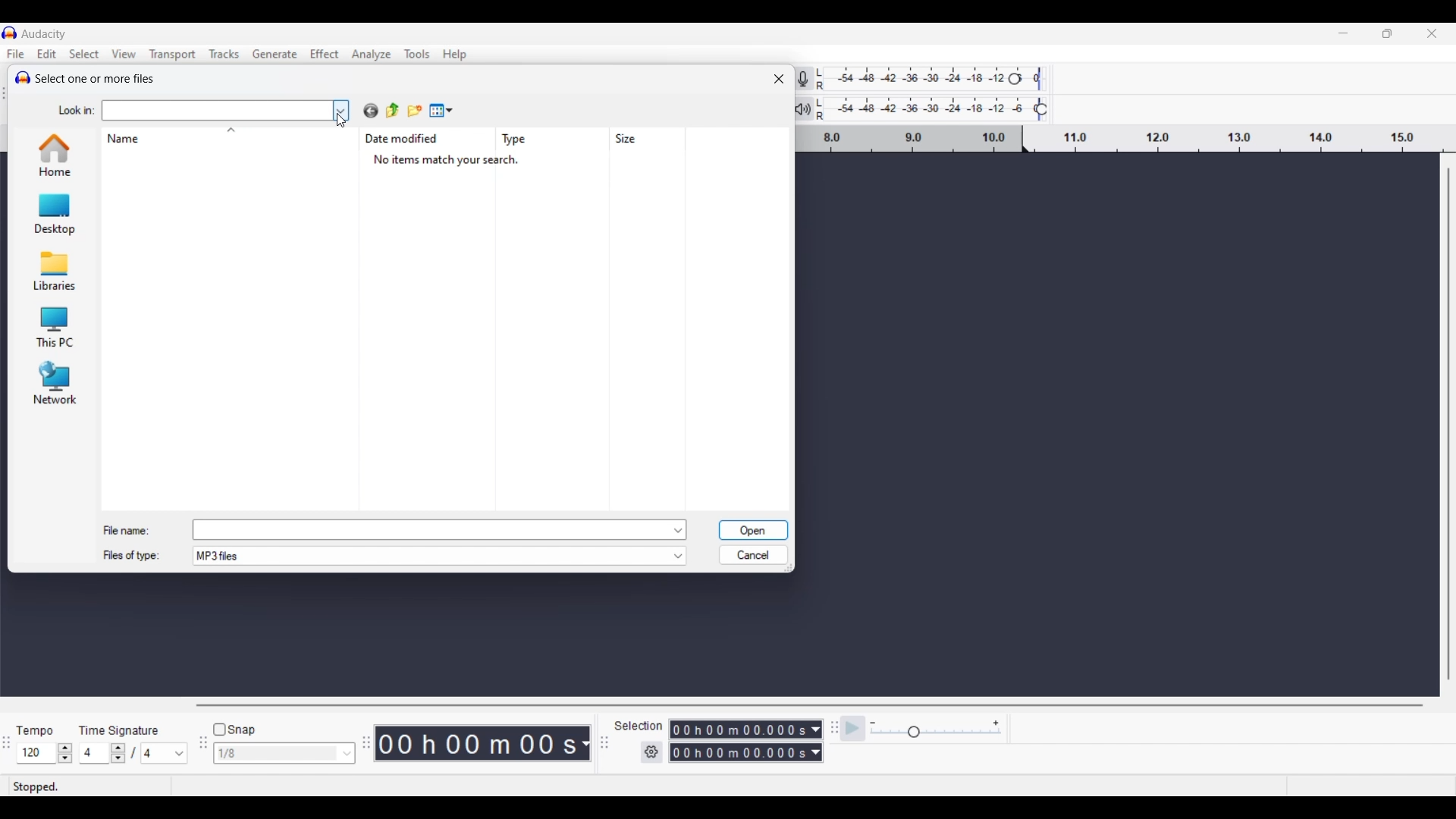  I want to click on Select menu, so click(85, 54).